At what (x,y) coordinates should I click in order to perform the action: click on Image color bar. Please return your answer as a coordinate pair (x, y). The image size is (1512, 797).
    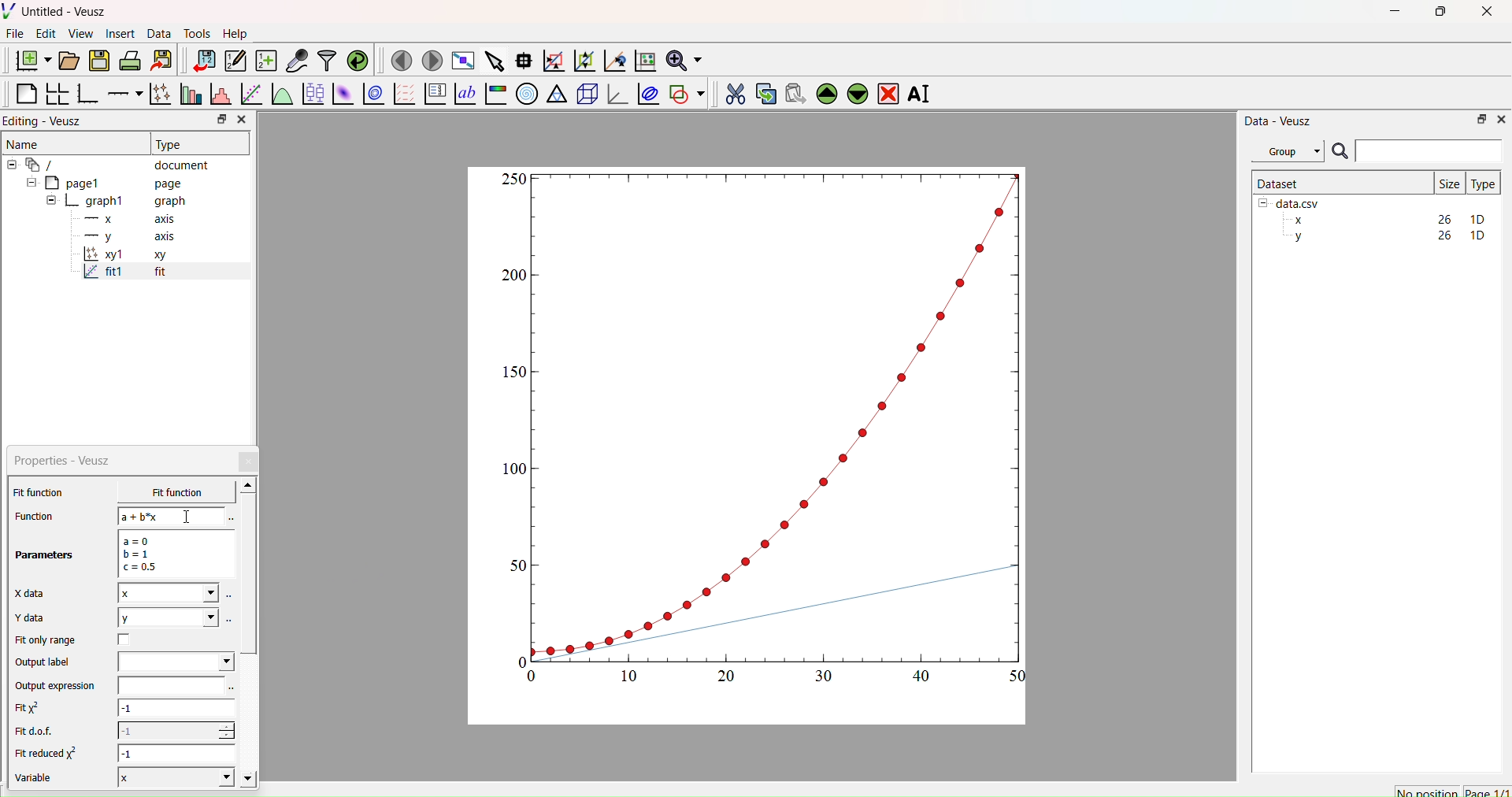
    Looking at the image, I should click on (494, 94).